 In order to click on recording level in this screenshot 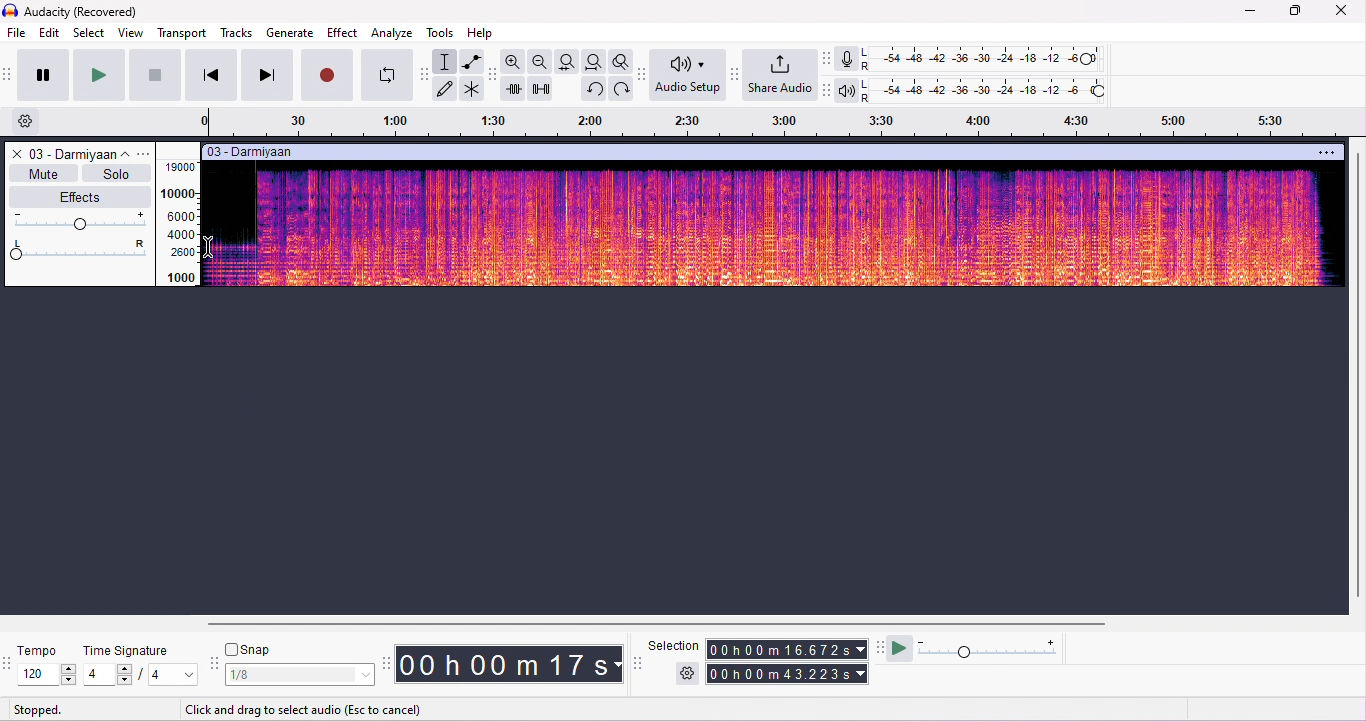, I will do `click(987, 60)`.